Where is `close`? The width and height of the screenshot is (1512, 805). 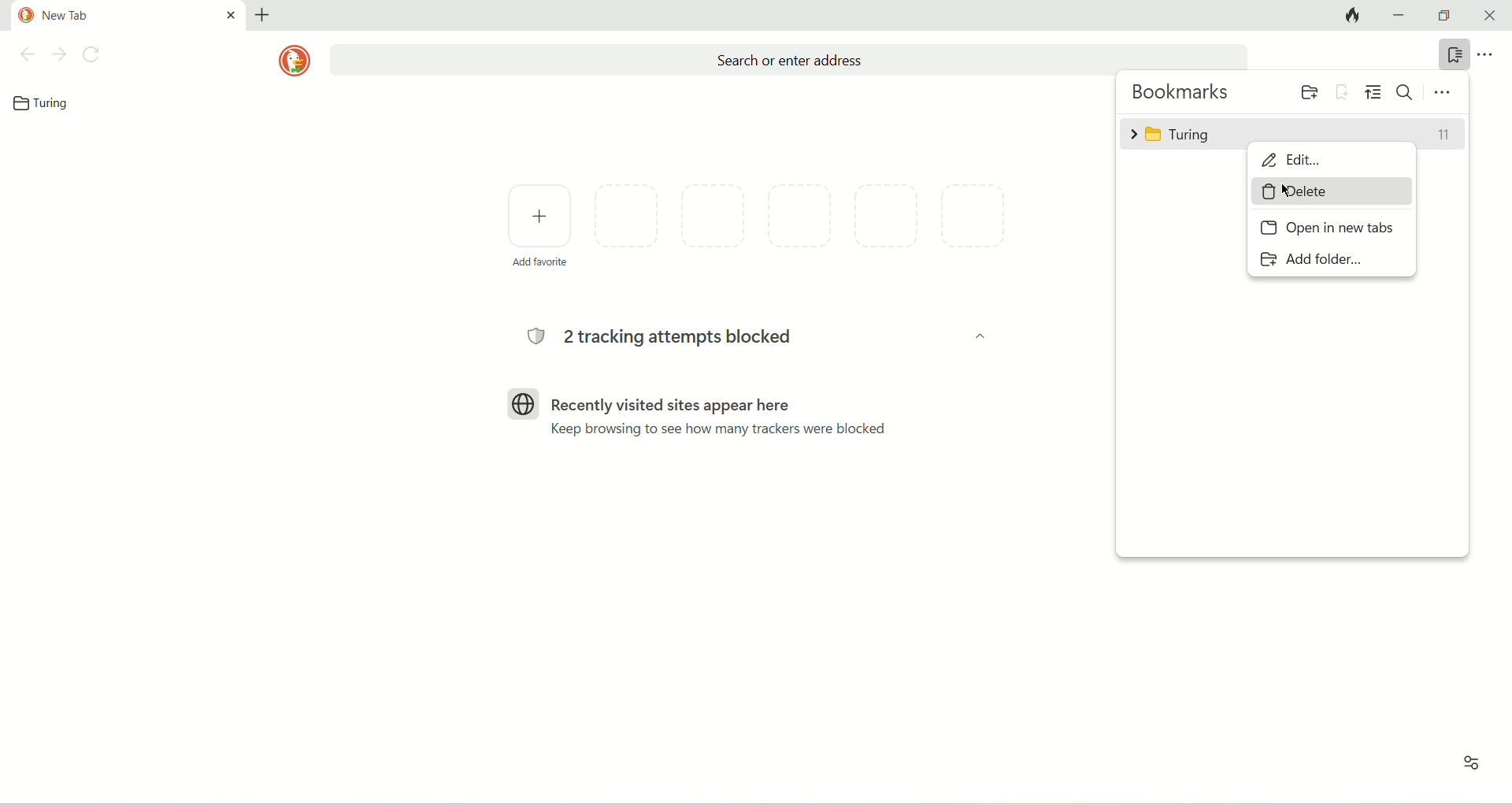 close is located at coordinates (1491, 16).